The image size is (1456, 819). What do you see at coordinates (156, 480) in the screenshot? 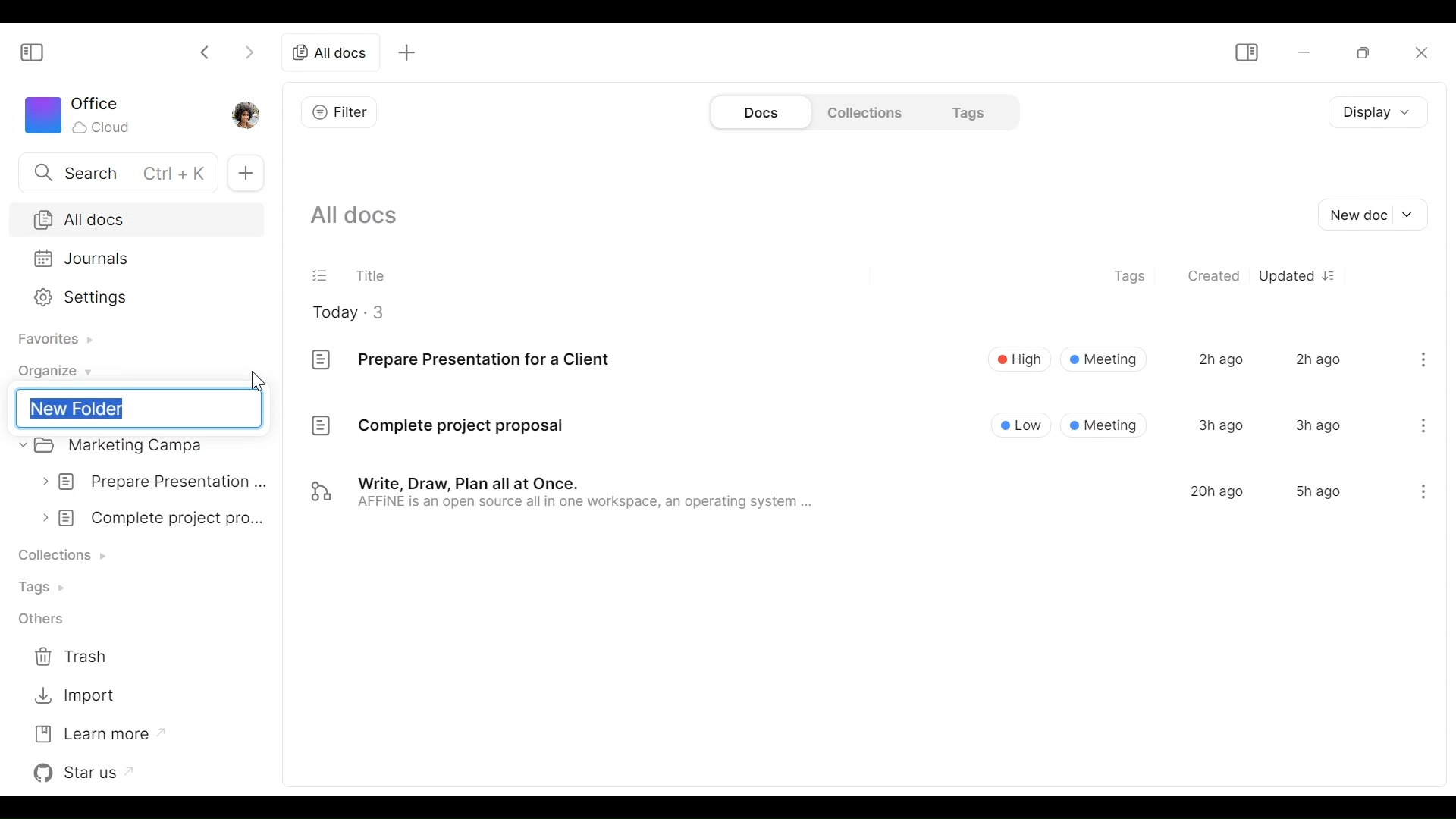
I see `prepare presentation` at bounding box center [156, 480].